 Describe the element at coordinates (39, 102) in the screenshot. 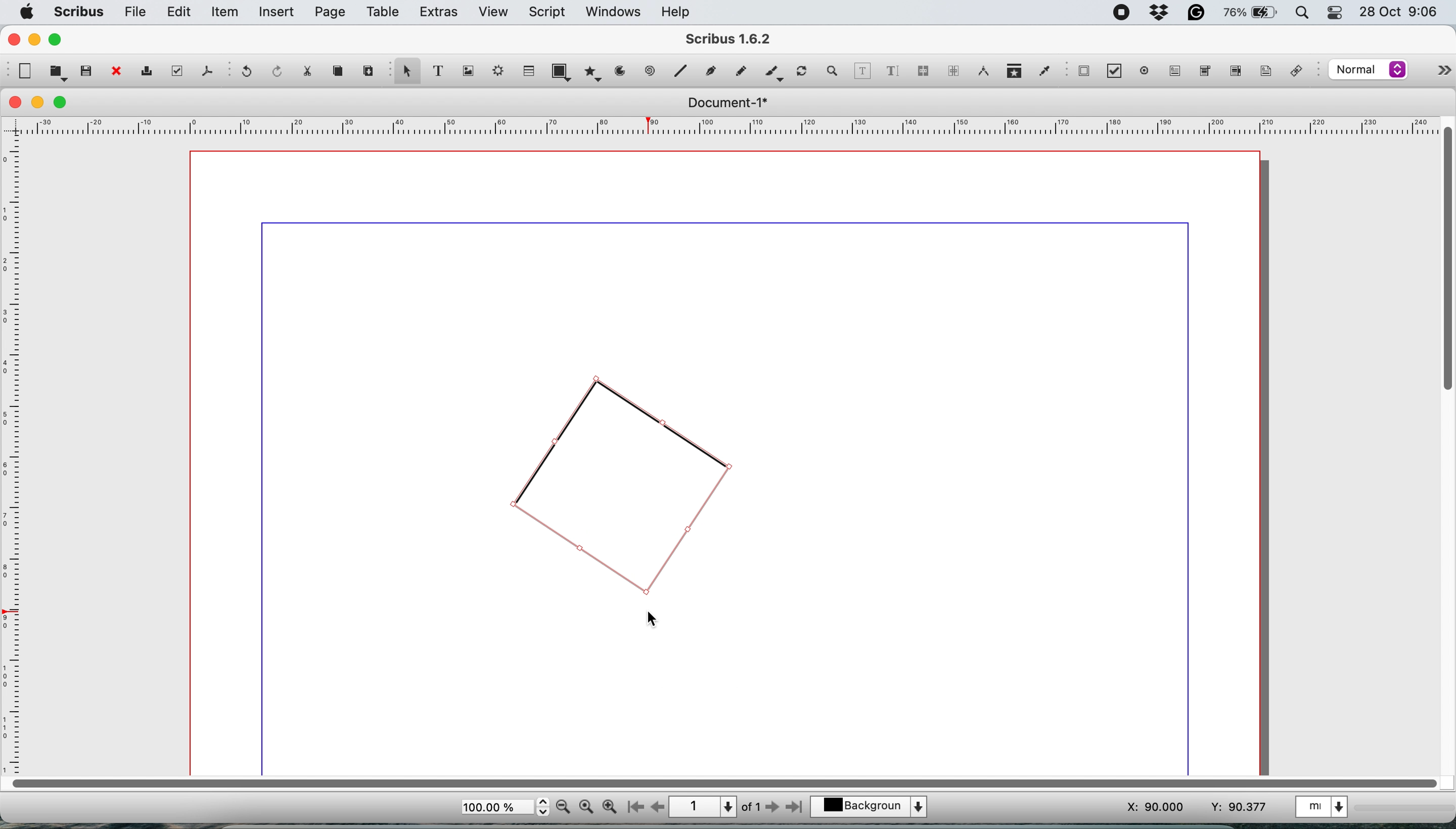

I see `minimise` at that location.